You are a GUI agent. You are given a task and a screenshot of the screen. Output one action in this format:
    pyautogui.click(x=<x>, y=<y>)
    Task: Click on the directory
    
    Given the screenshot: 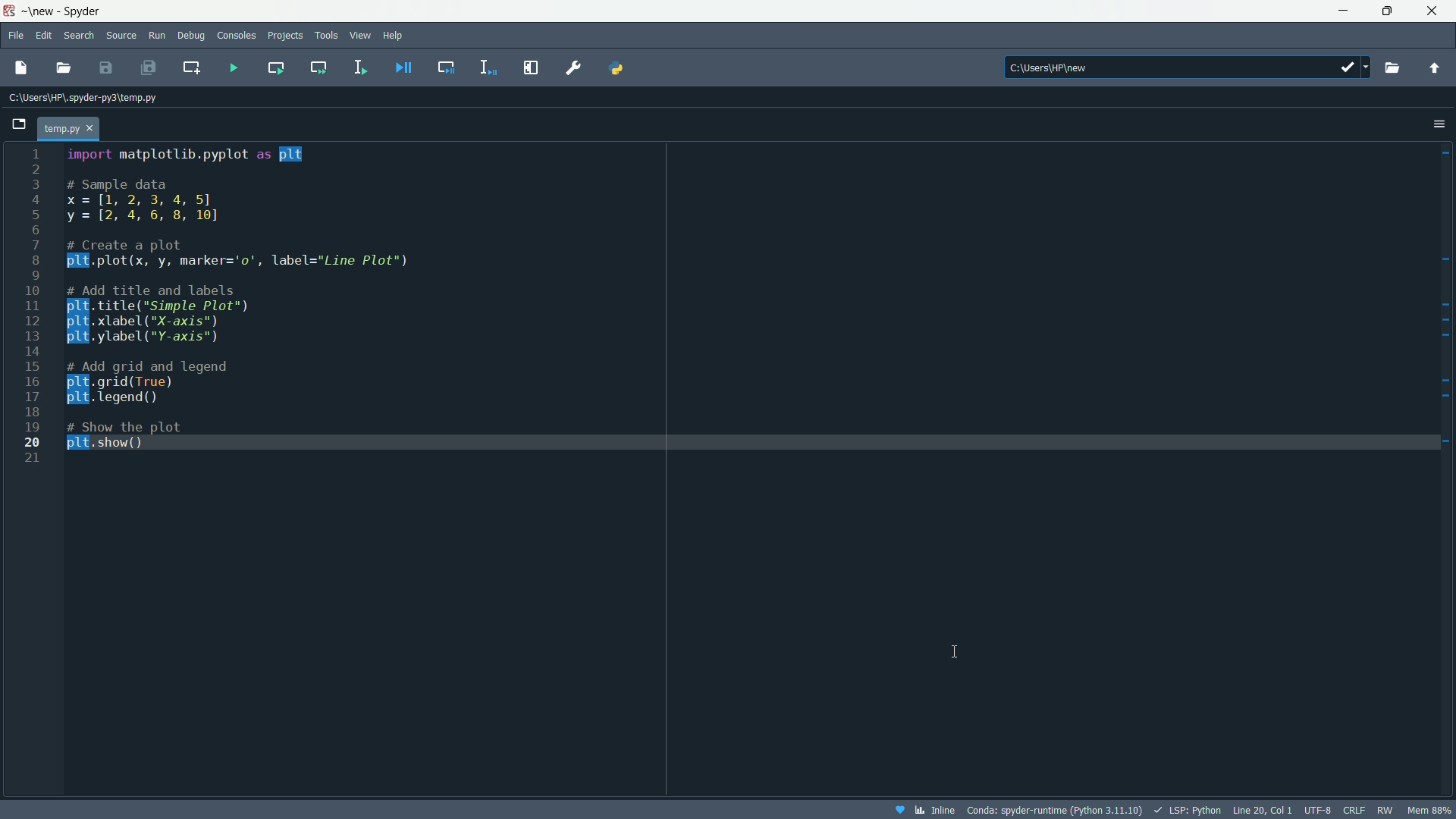 What is the action you would take?
    pyautogui.click(x=1188, y=66)
    